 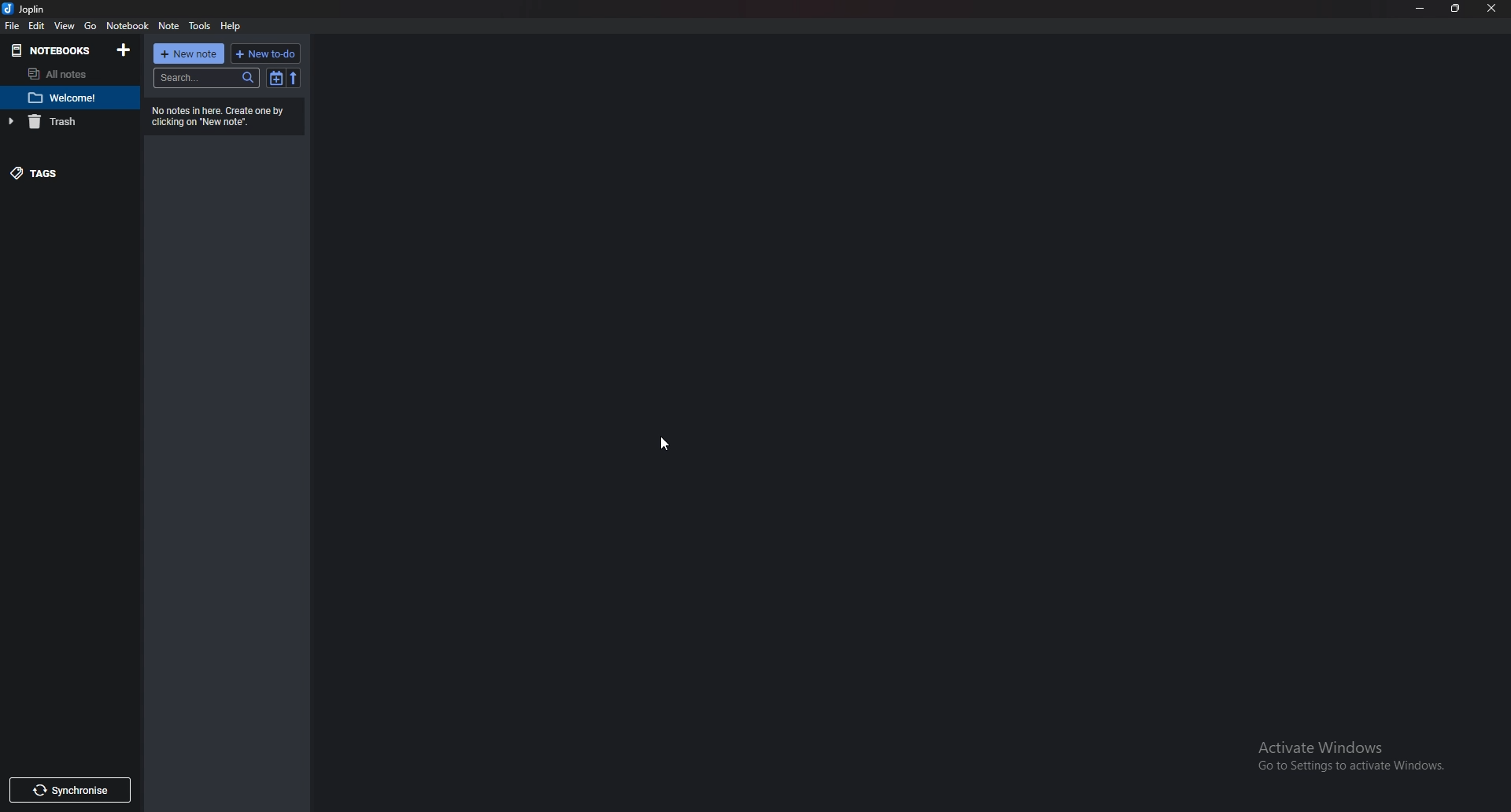 I want to click on Synchronize, so click(x=72, y=792).